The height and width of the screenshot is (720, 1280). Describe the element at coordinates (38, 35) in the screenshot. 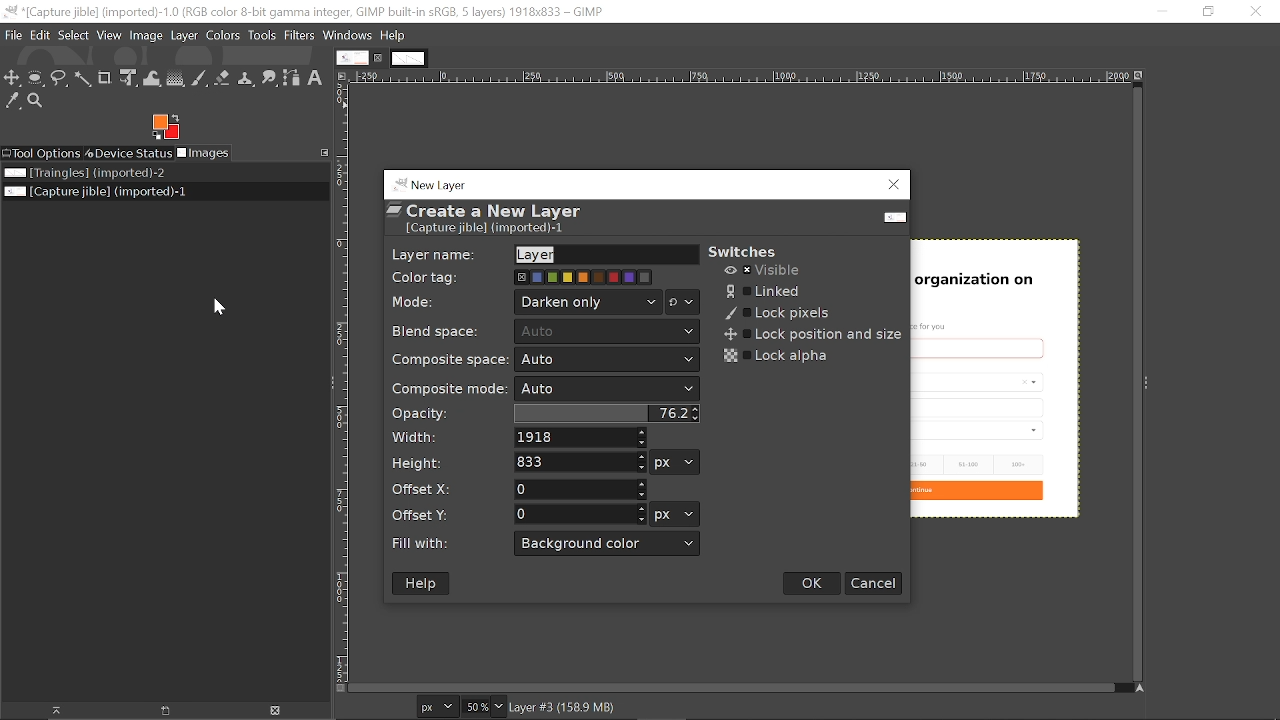

I see `Edit` at that location.